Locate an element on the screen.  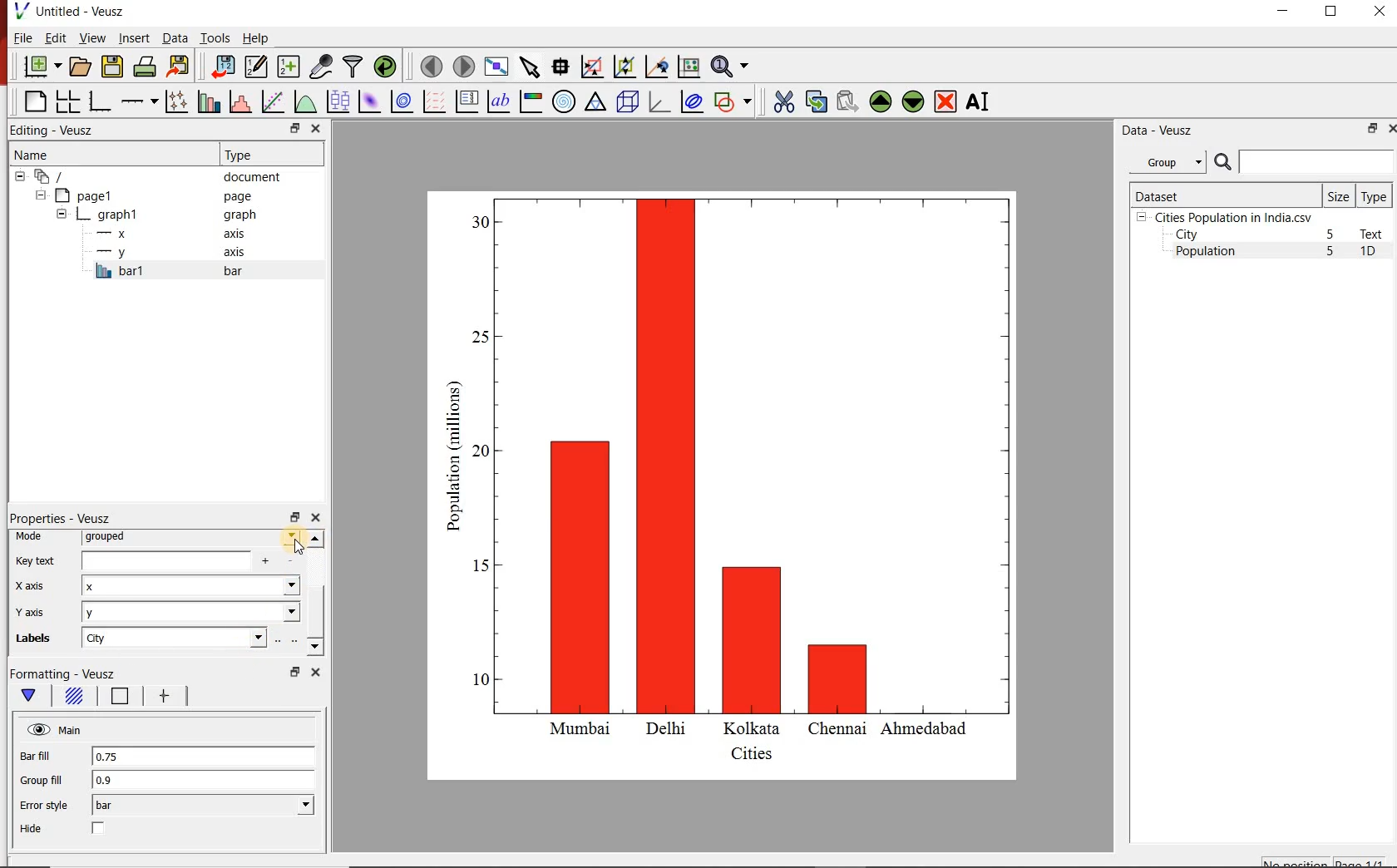
Data is located at coordinates (175, 39).